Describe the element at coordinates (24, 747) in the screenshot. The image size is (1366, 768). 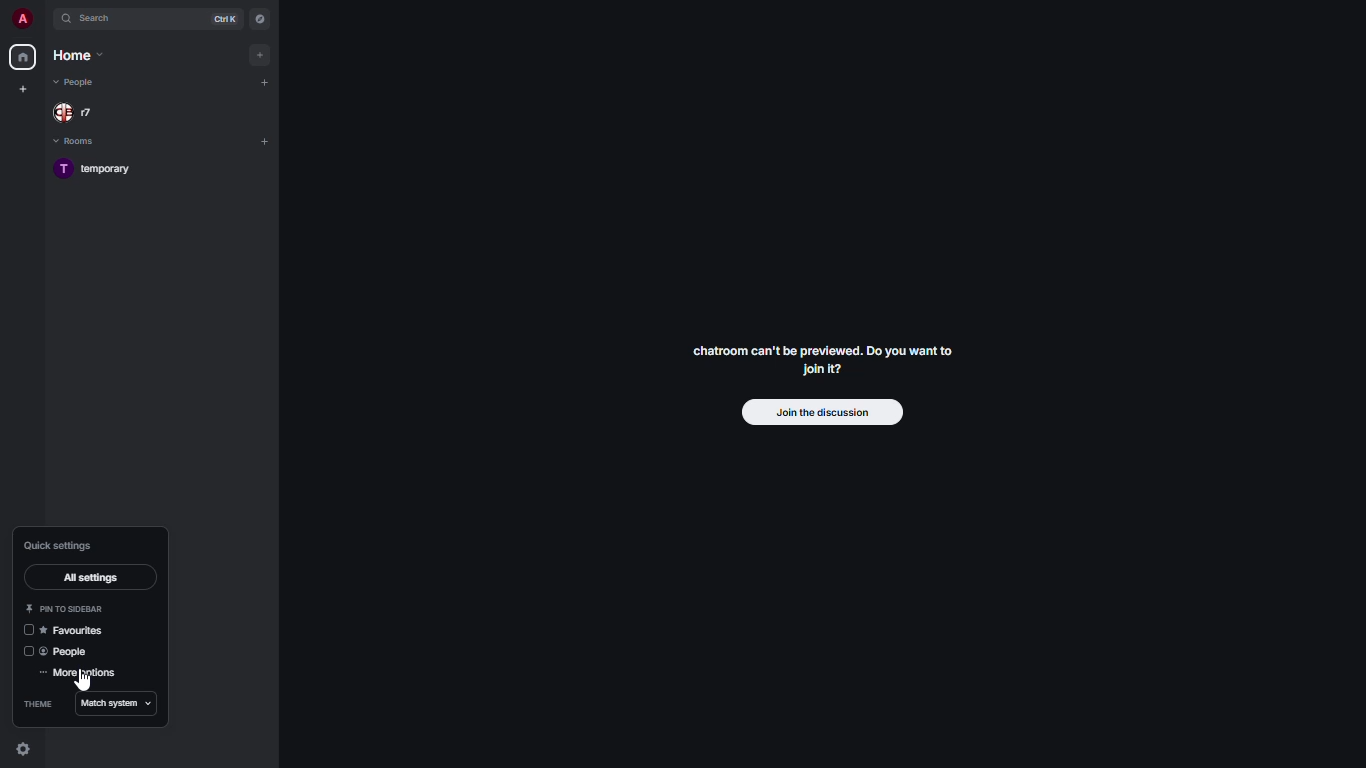
I see `quick settings` at that location.